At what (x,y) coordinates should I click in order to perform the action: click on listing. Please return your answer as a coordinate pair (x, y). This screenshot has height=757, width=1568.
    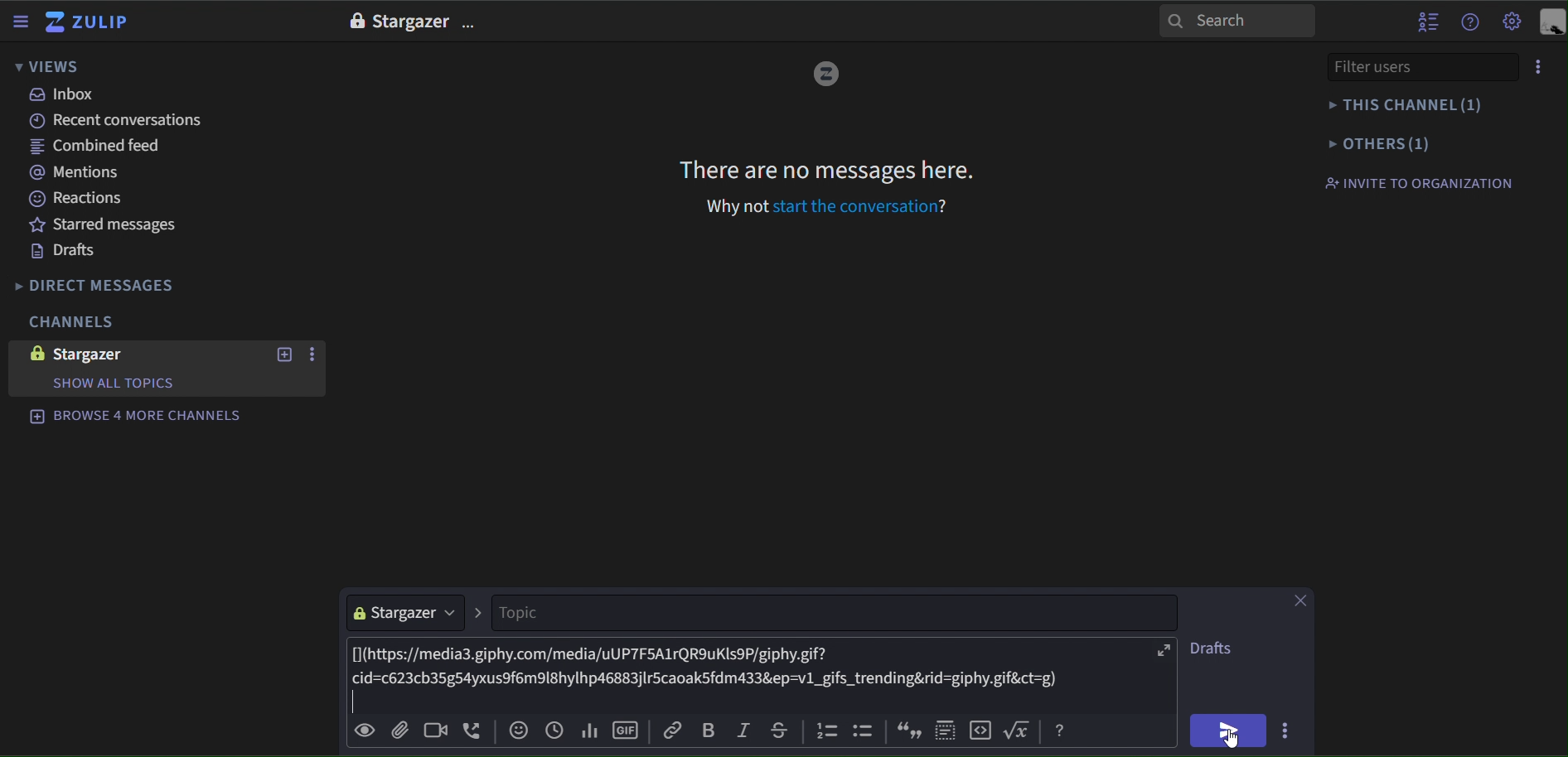
    Looking at the image, I should click on (829, 732).